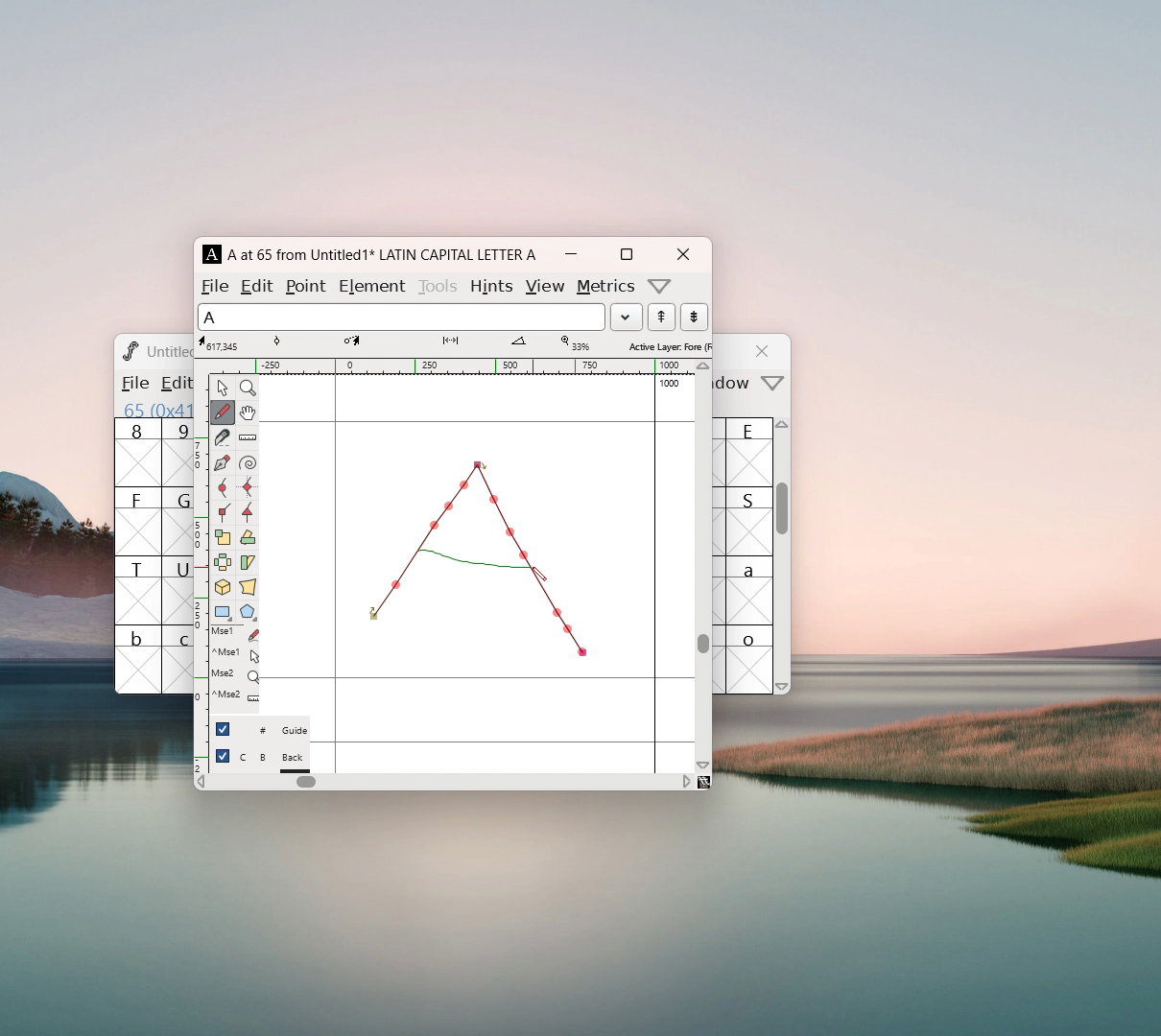  I want to click on tangent, so click(296, 342).